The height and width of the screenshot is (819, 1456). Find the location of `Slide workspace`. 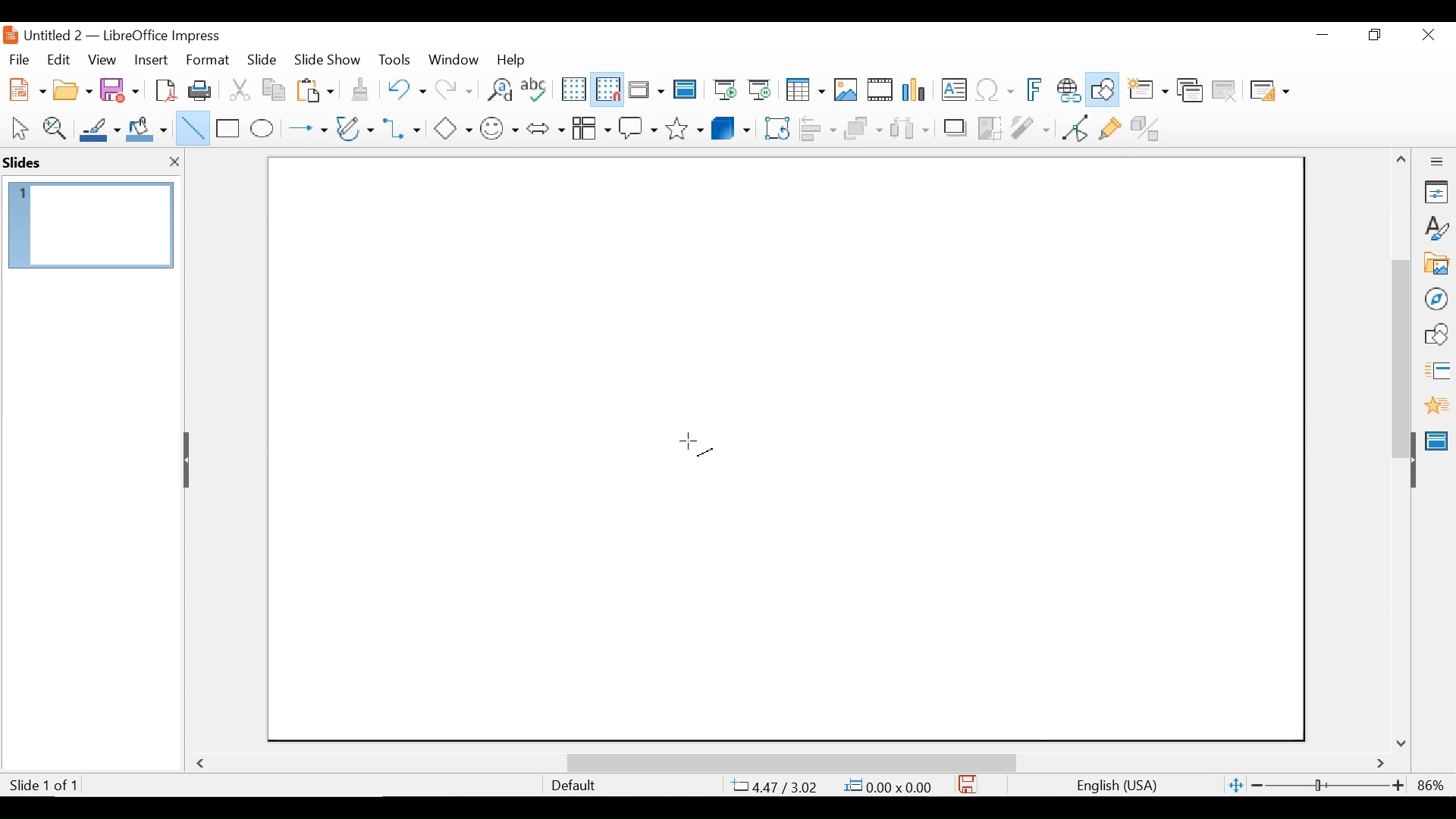

Slide workspace is located at coordinates (788, 448).